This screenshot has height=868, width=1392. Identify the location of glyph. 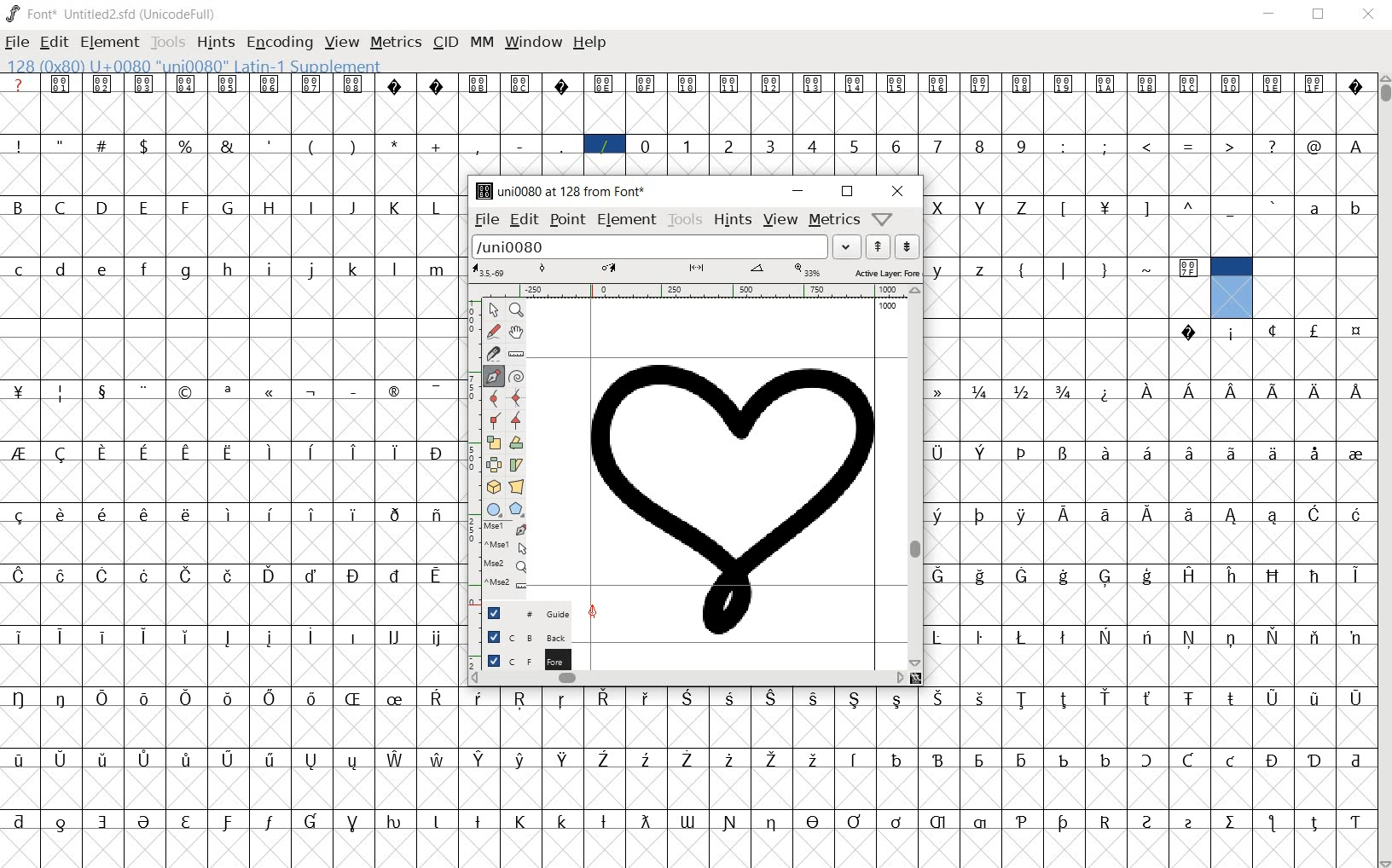
(436, 697).